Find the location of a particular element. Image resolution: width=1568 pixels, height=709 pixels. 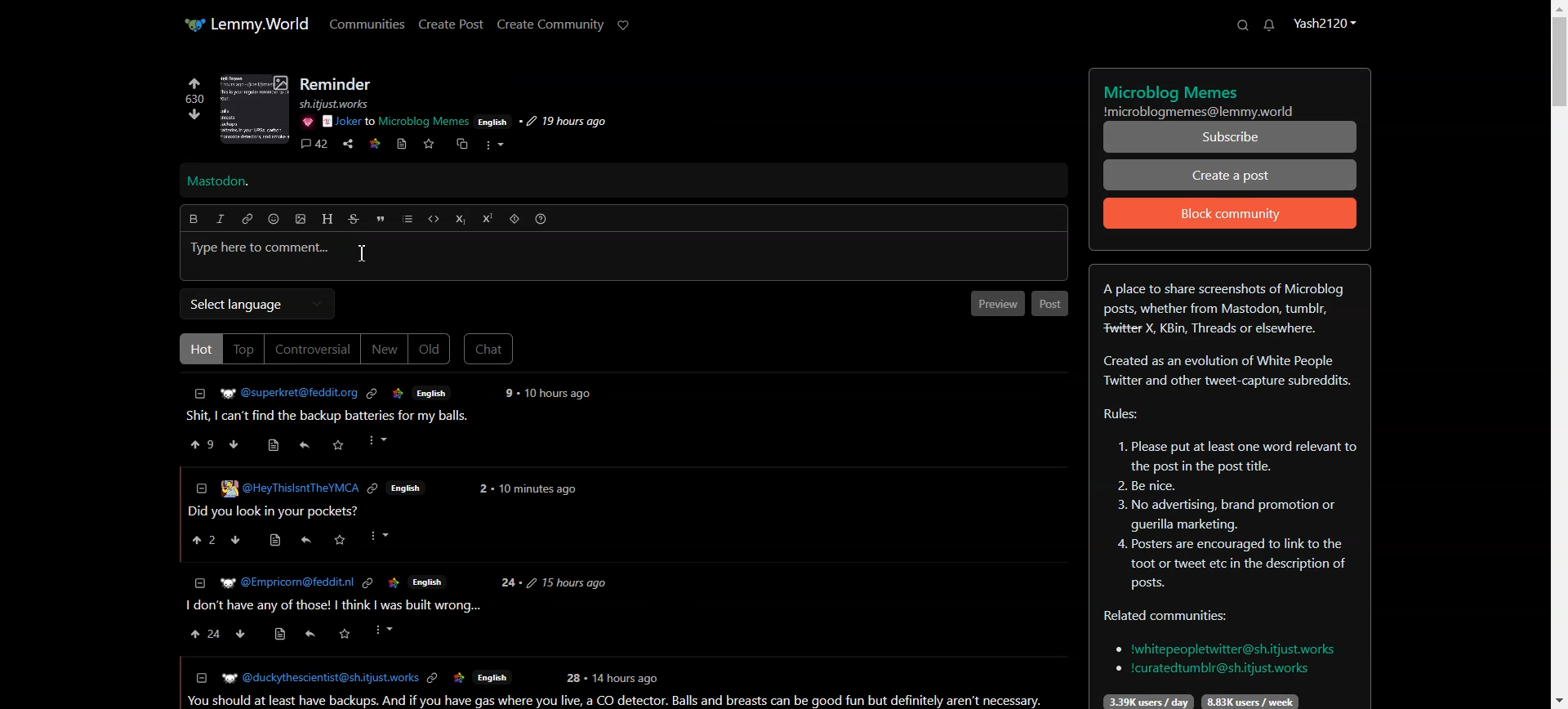

Strikethrough is located at coordinates (354, 219).